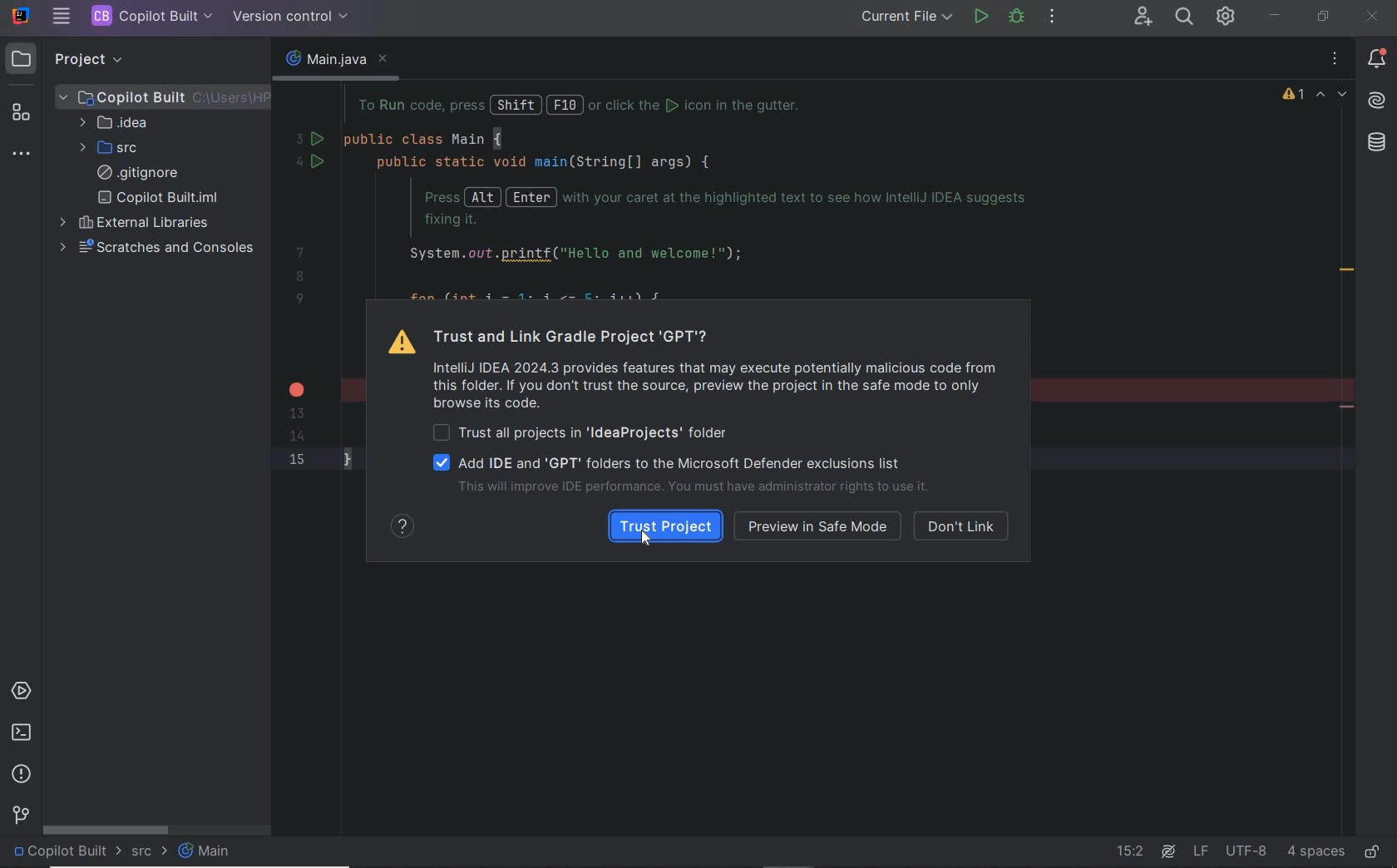 The image size is (1397, 868). Describe the element at coordinates (1377, 61) in the screenshot. I see `notifications` at that location.